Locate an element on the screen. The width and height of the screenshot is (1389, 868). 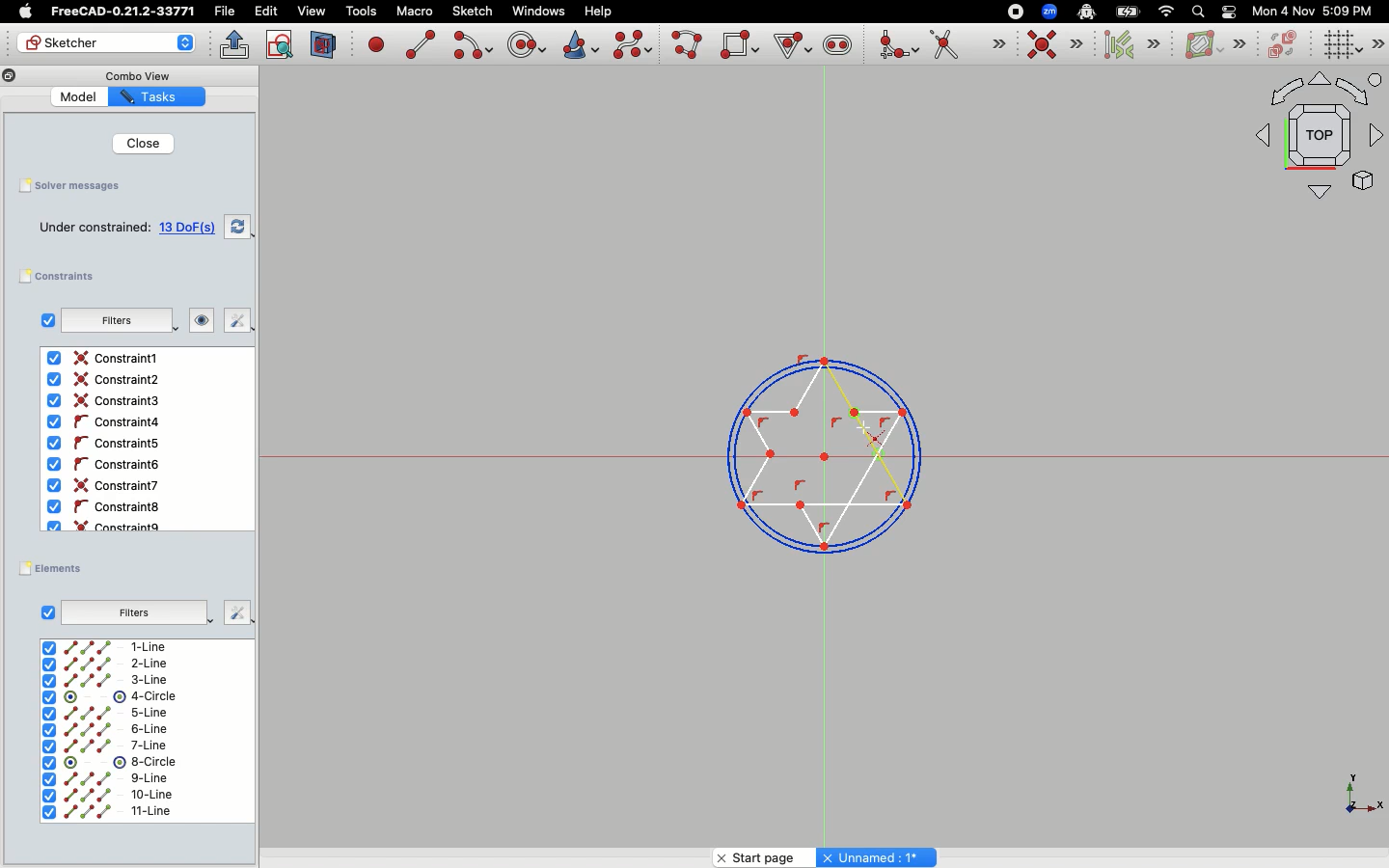
Create circle is located at coordinates (527, 42).